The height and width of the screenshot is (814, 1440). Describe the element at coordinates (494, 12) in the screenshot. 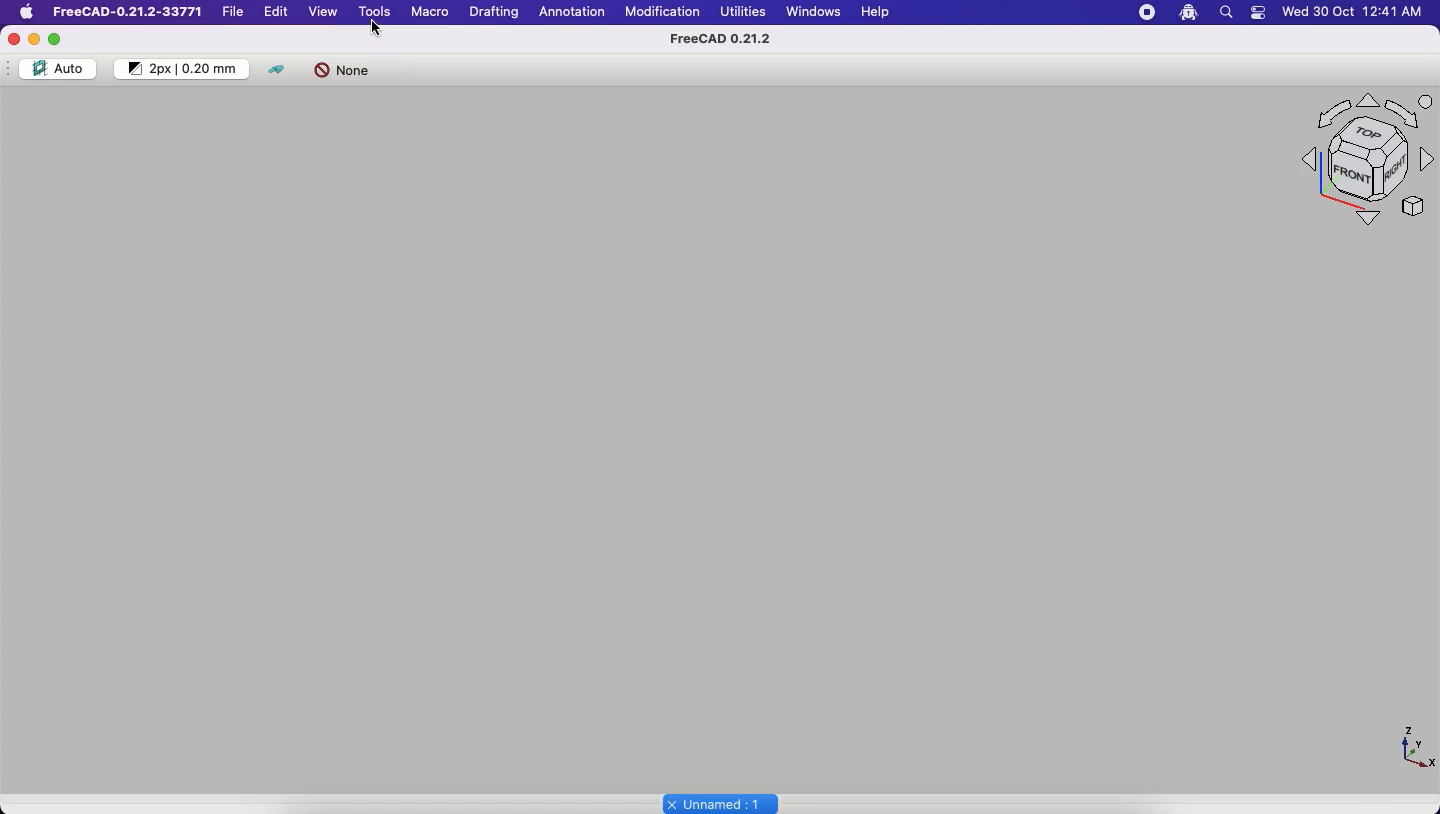

I see `Drafting` at that location.